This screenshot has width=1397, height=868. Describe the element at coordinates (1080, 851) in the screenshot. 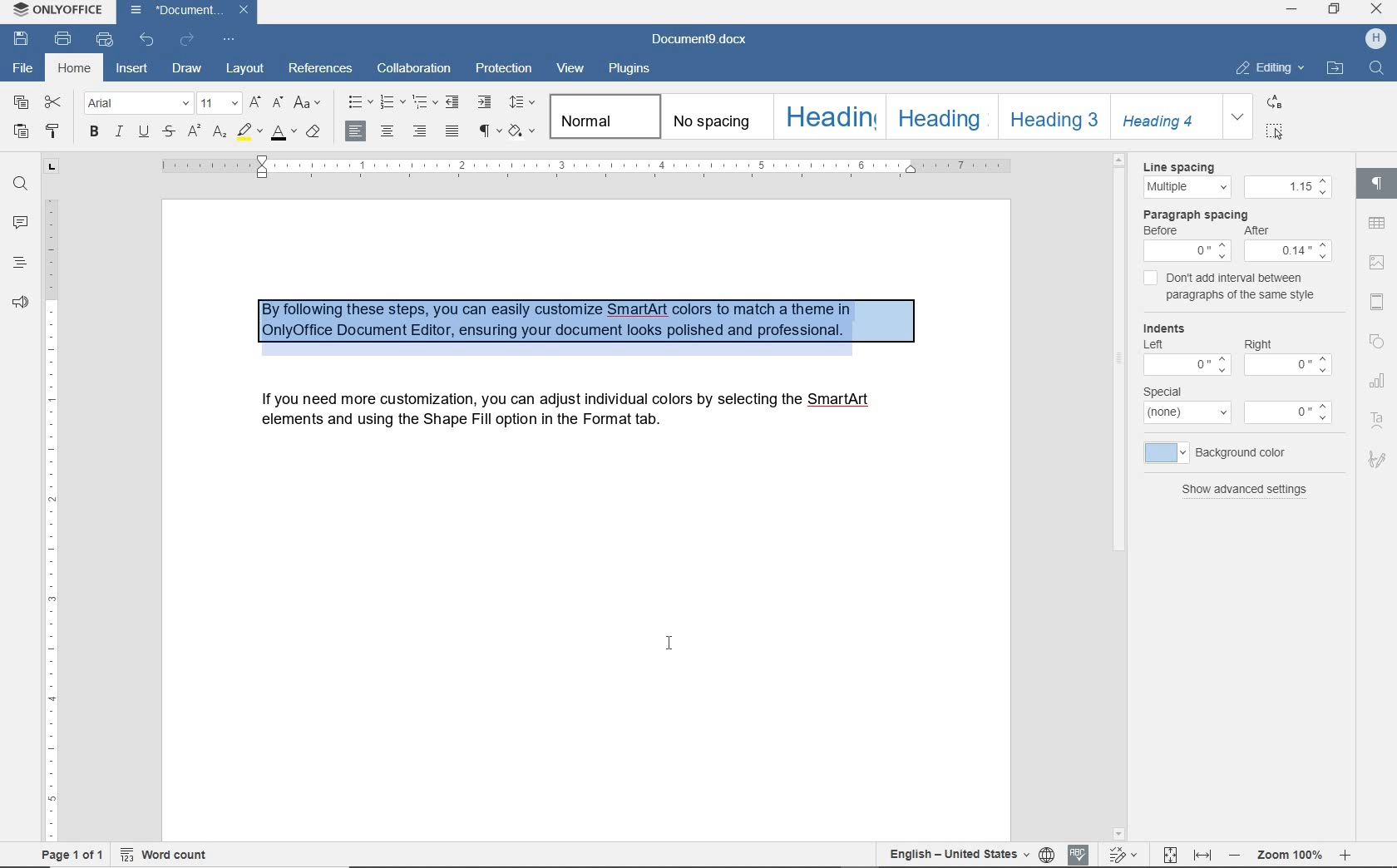

I see `spell checking` at that location.